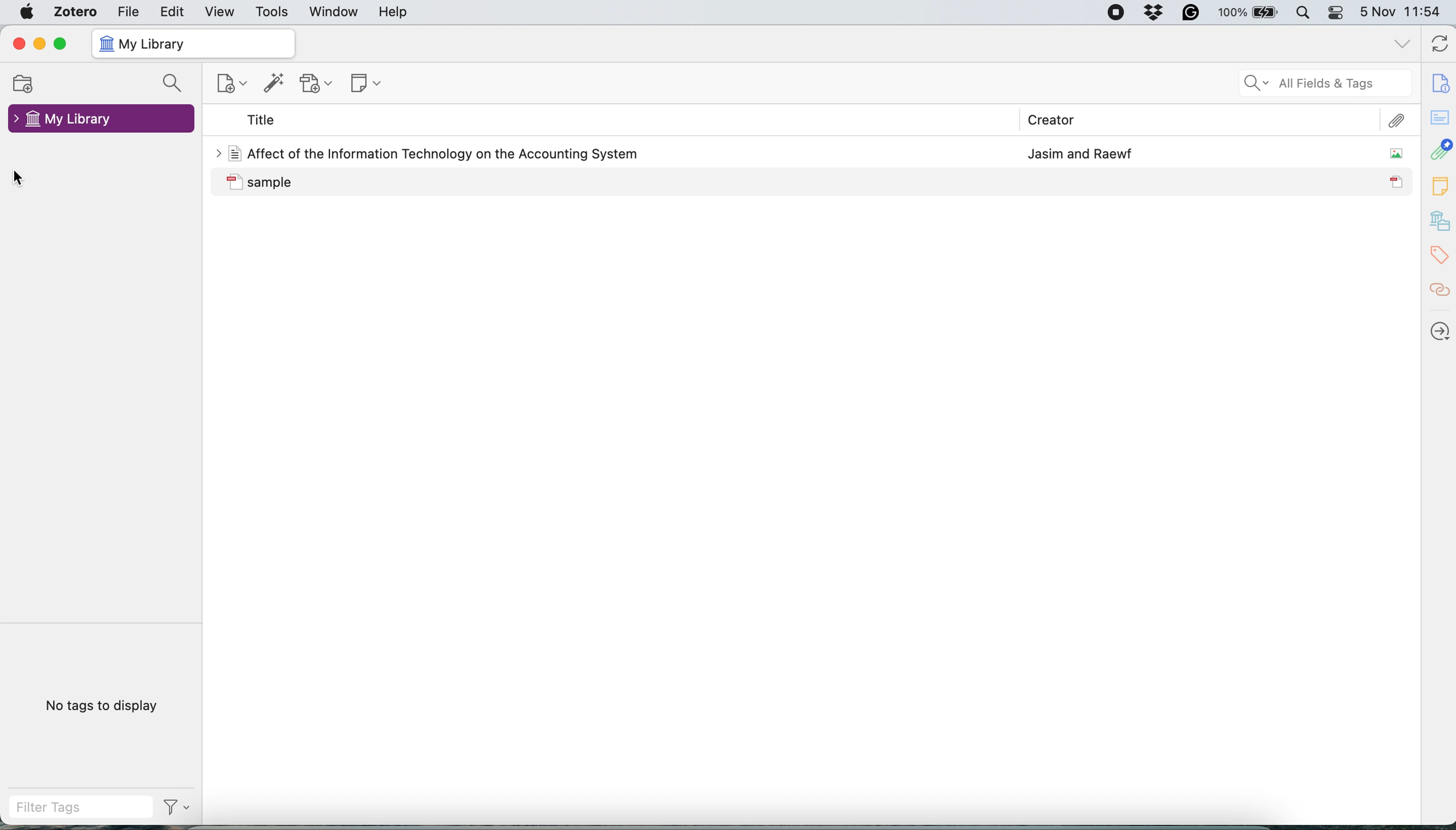 The width and height of the screenshot is (1456, 830). Describe the element at coordinates (126, 13) in the screenshot. I see `file` at that location.